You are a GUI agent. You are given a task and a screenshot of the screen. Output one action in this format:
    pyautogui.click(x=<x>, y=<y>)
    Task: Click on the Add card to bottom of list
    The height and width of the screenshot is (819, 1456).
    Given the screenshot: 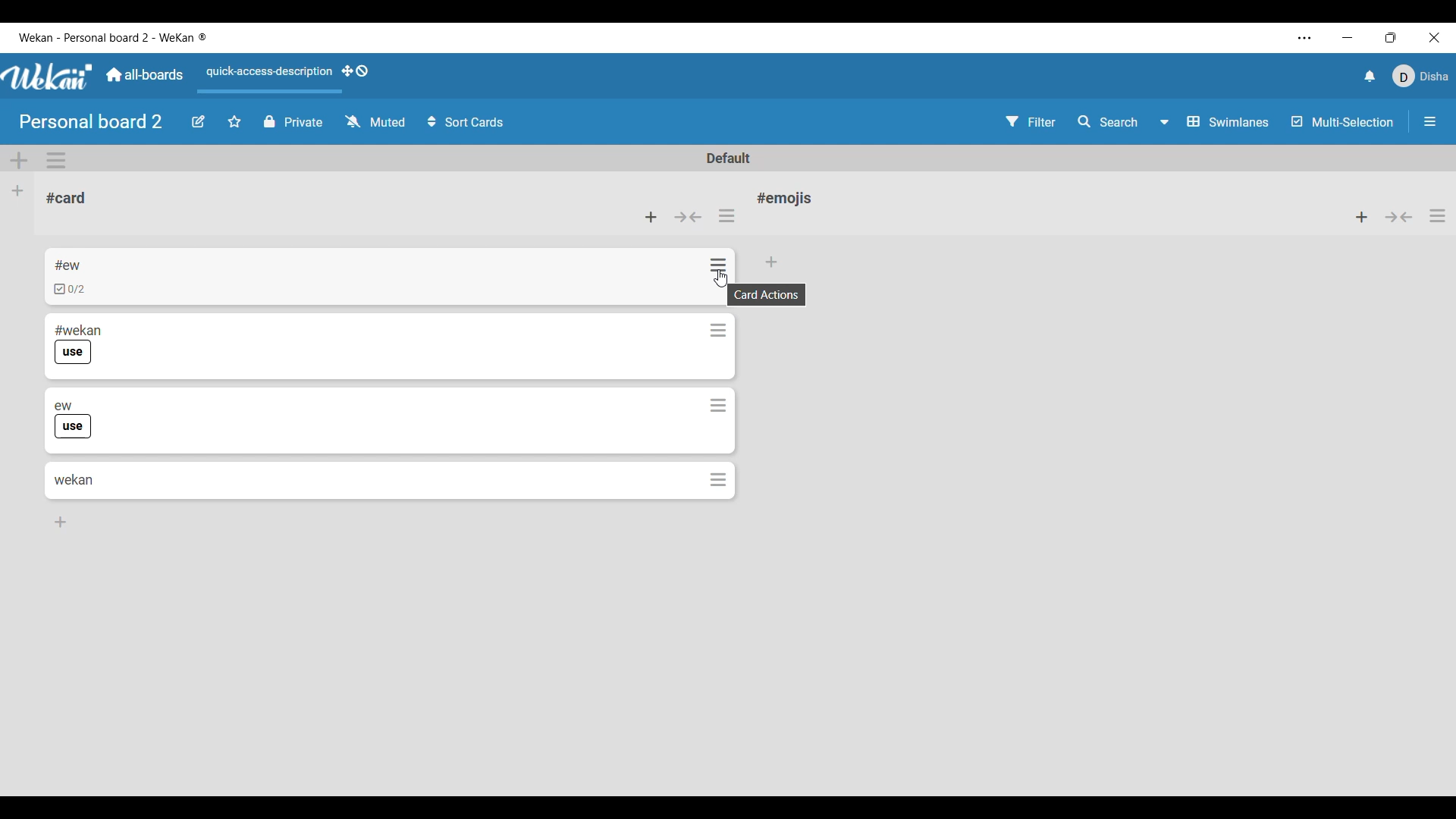 What is the action you would take?
    pyautogui.click(x=61, y=522)
    